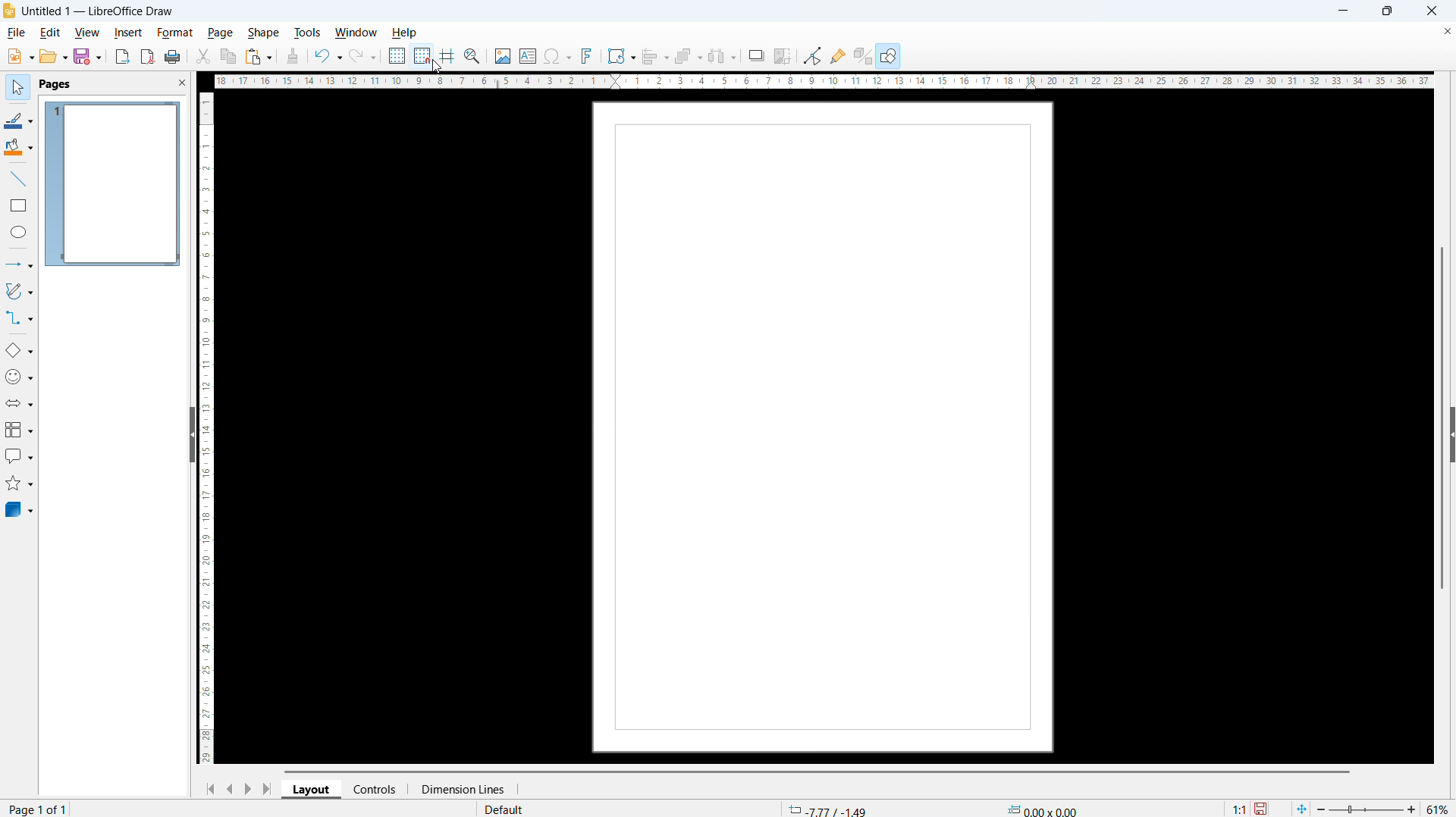  I want to click on paste , so click(258, 56).